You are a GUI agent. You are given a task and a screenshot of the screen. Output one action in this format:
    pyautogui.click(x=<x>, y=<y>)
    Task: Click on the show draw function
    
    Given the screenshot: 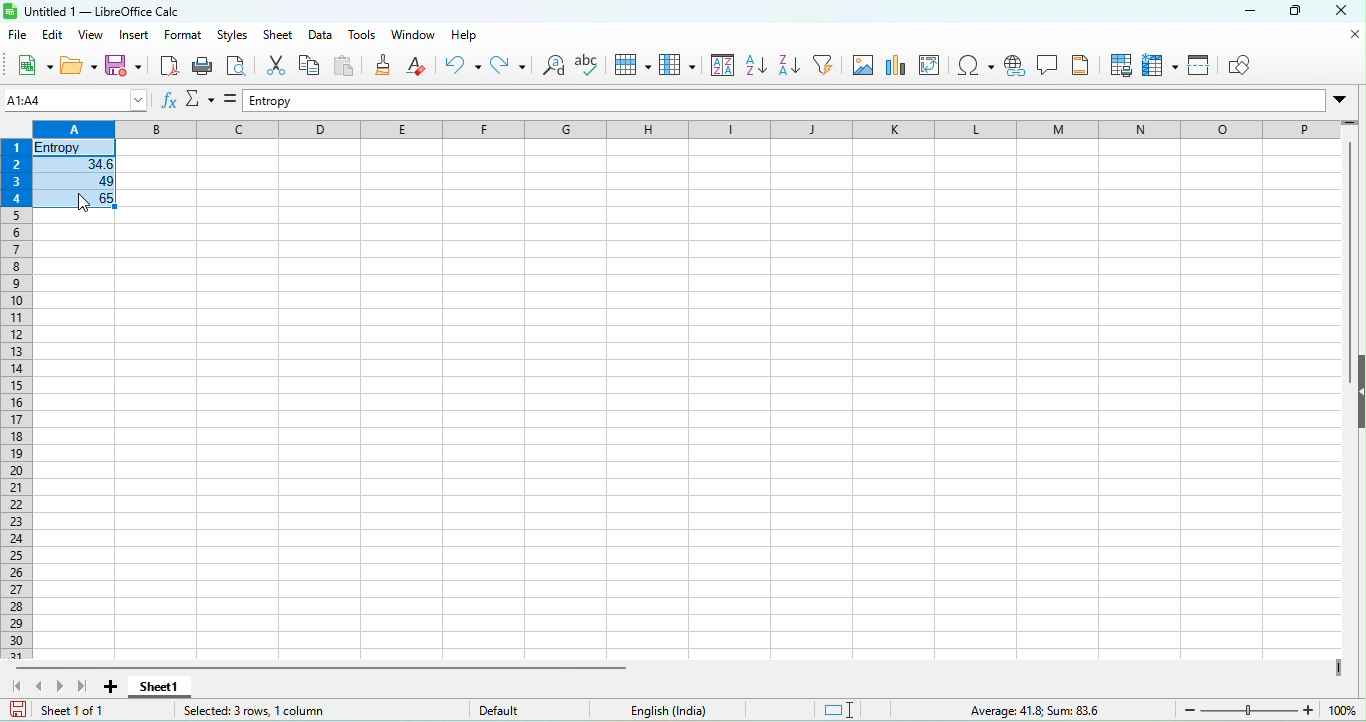 What is the action you would take?
    pyautogui.click(x=1246, y=65)
    